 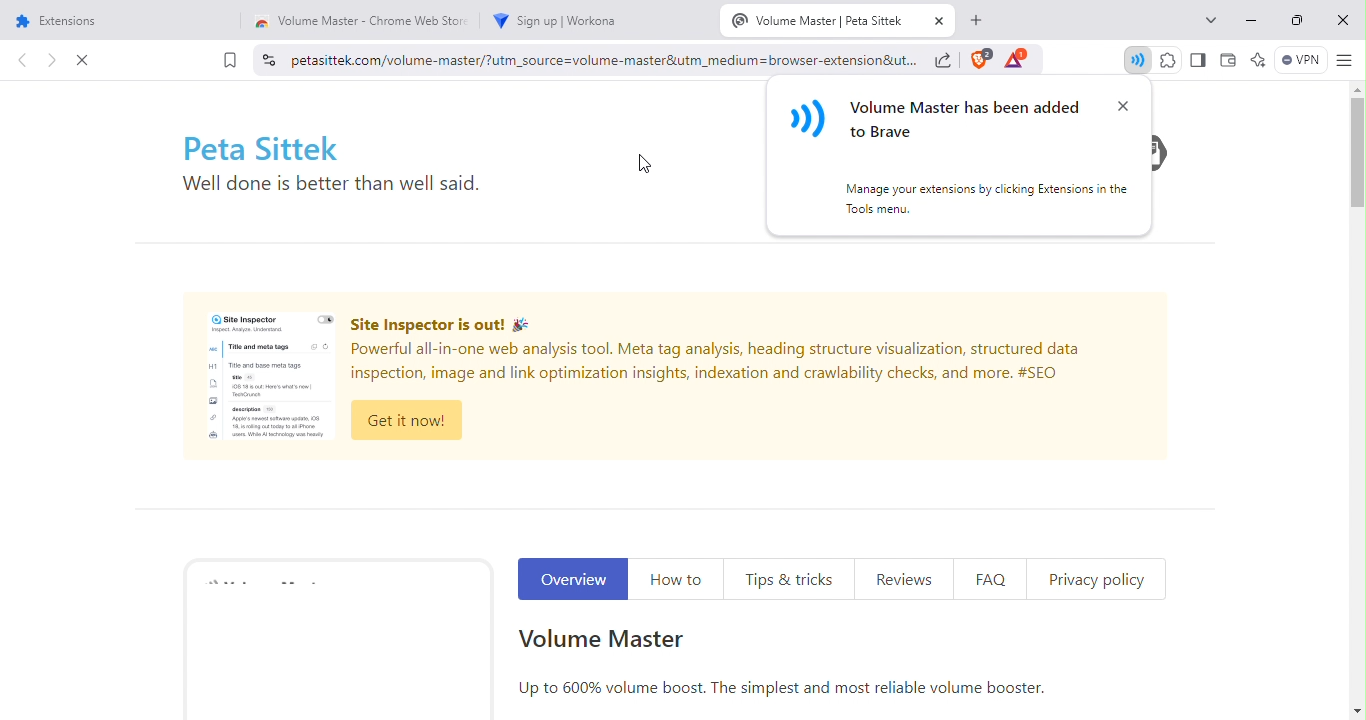 What do you see at coordinates (1135, 60) in the screenshot?
I see `Extension added` at bounding box center [1135, 60].